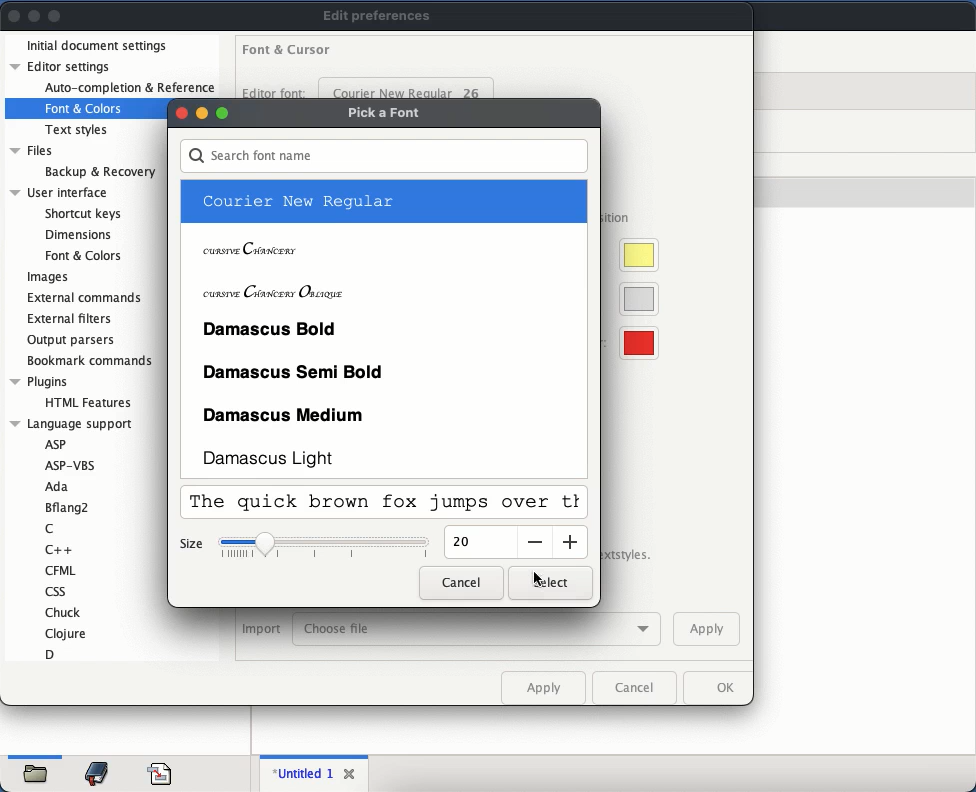  Describe the element at coordinates (720, 689) in the screenshot. I see `ok` at that location.